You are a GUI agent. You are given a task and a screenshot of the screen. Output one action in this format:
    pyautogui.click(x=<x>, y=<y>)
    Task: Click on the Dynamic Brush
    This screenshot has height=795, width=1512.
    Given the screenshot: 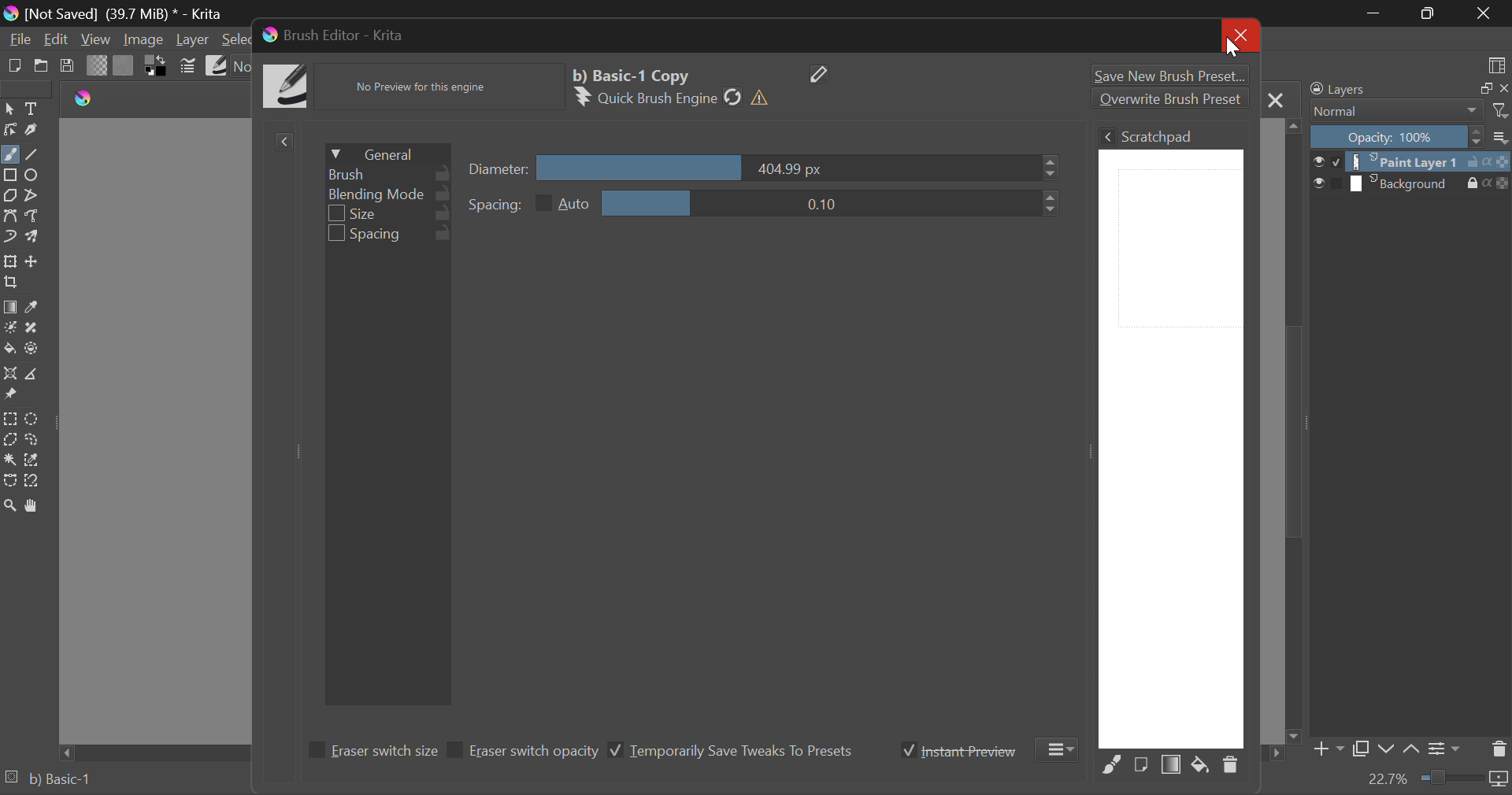 What is the action you would take?
    pyautogui.click(x=9, y=237)
    